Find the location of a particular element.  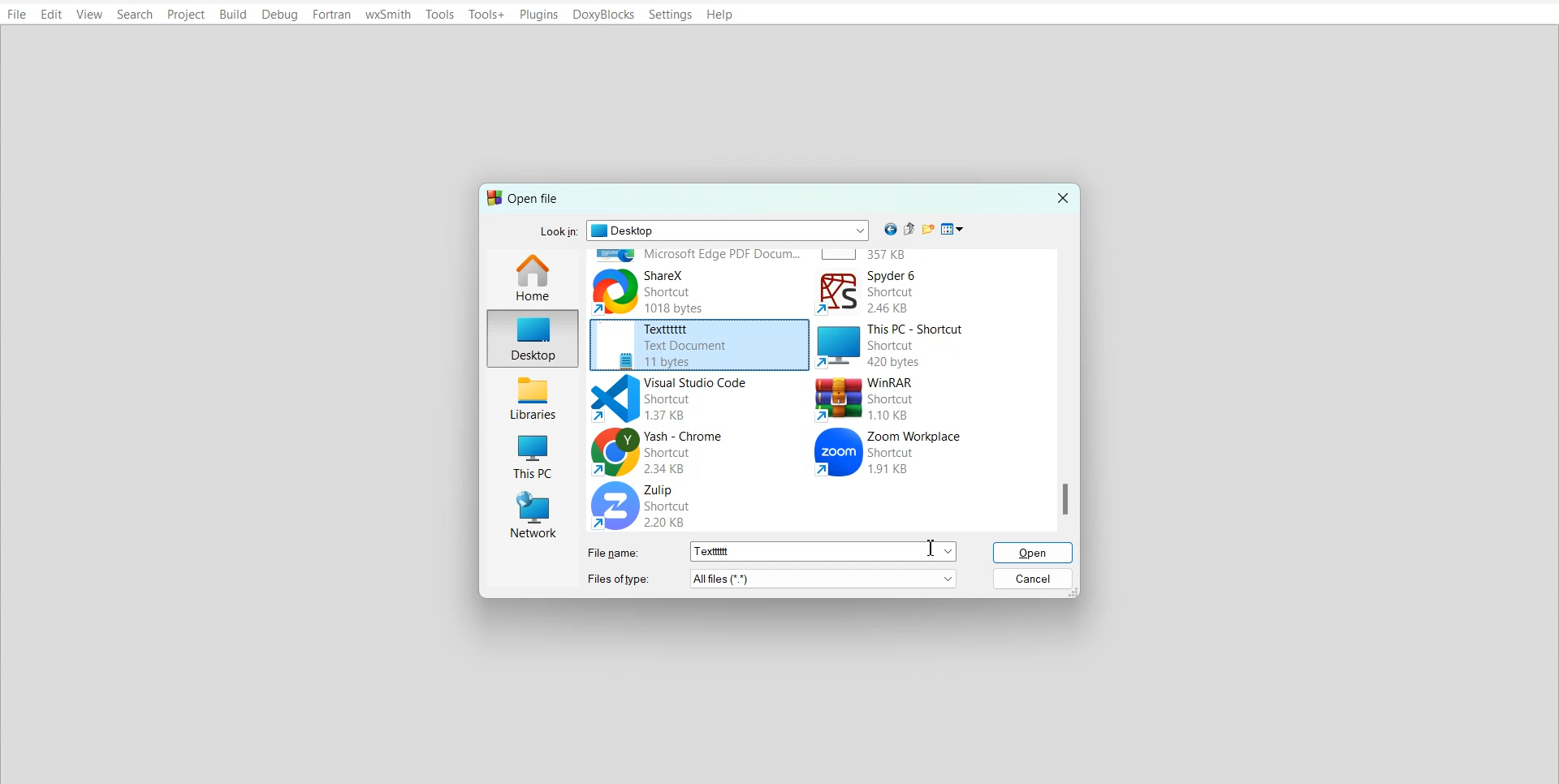

more options is located at coordinates (821, 579).